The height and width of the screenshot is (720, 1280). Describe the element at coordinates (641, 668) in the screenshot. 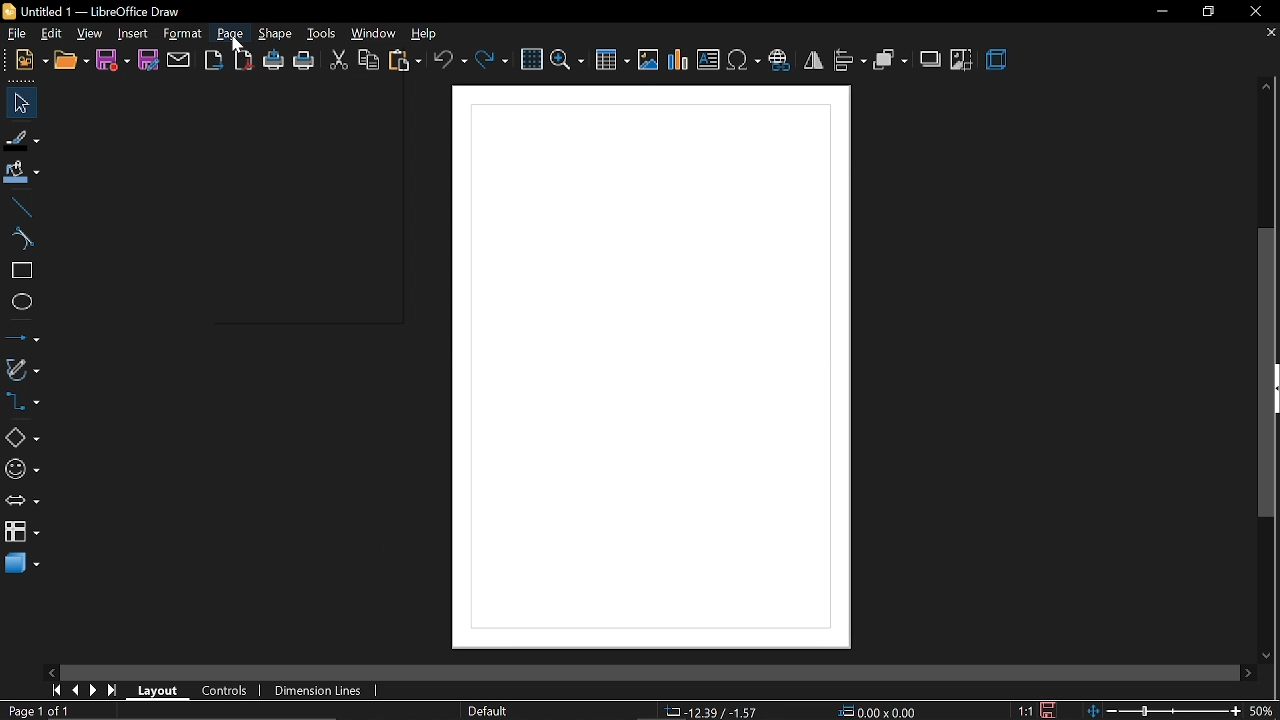

I see `scroll` at that location.